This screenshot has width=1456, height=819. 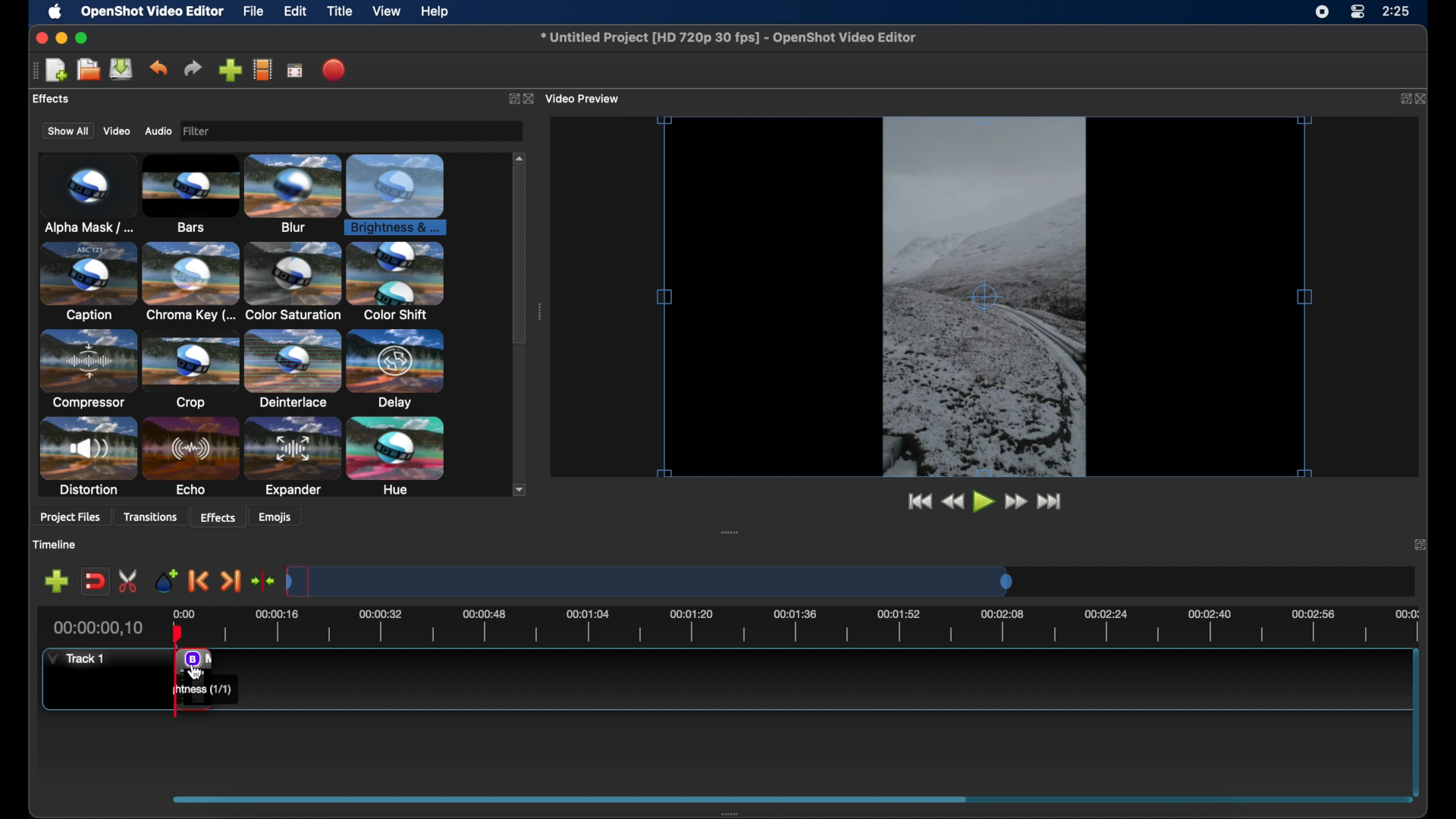 I want to click on delay, so click(x=396, y=369).